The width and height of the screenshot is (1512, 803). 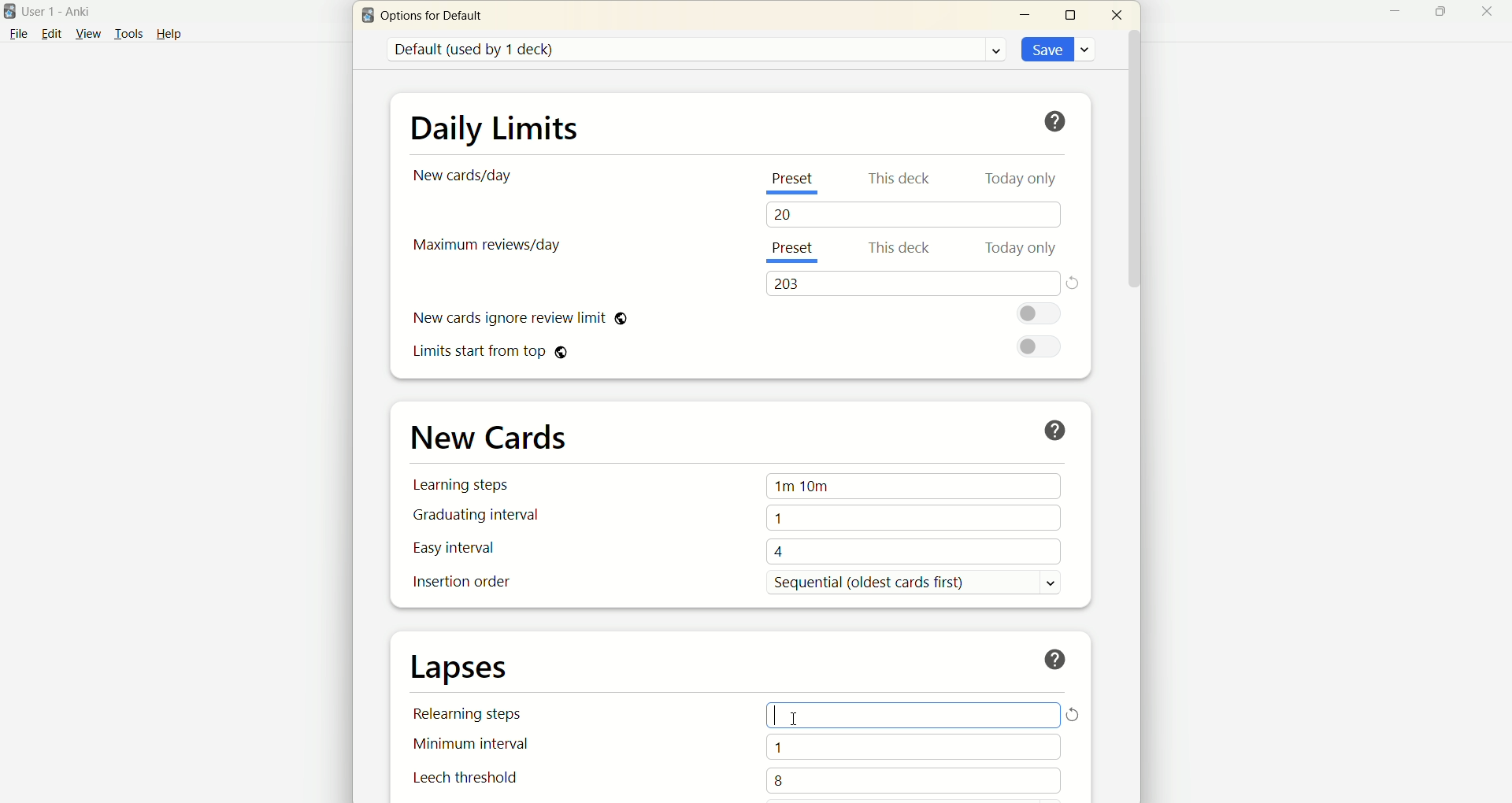 What do you see at coordinates (492, 126) in the screenshot?
I see `daily limits` at bounding box center [492, 126].